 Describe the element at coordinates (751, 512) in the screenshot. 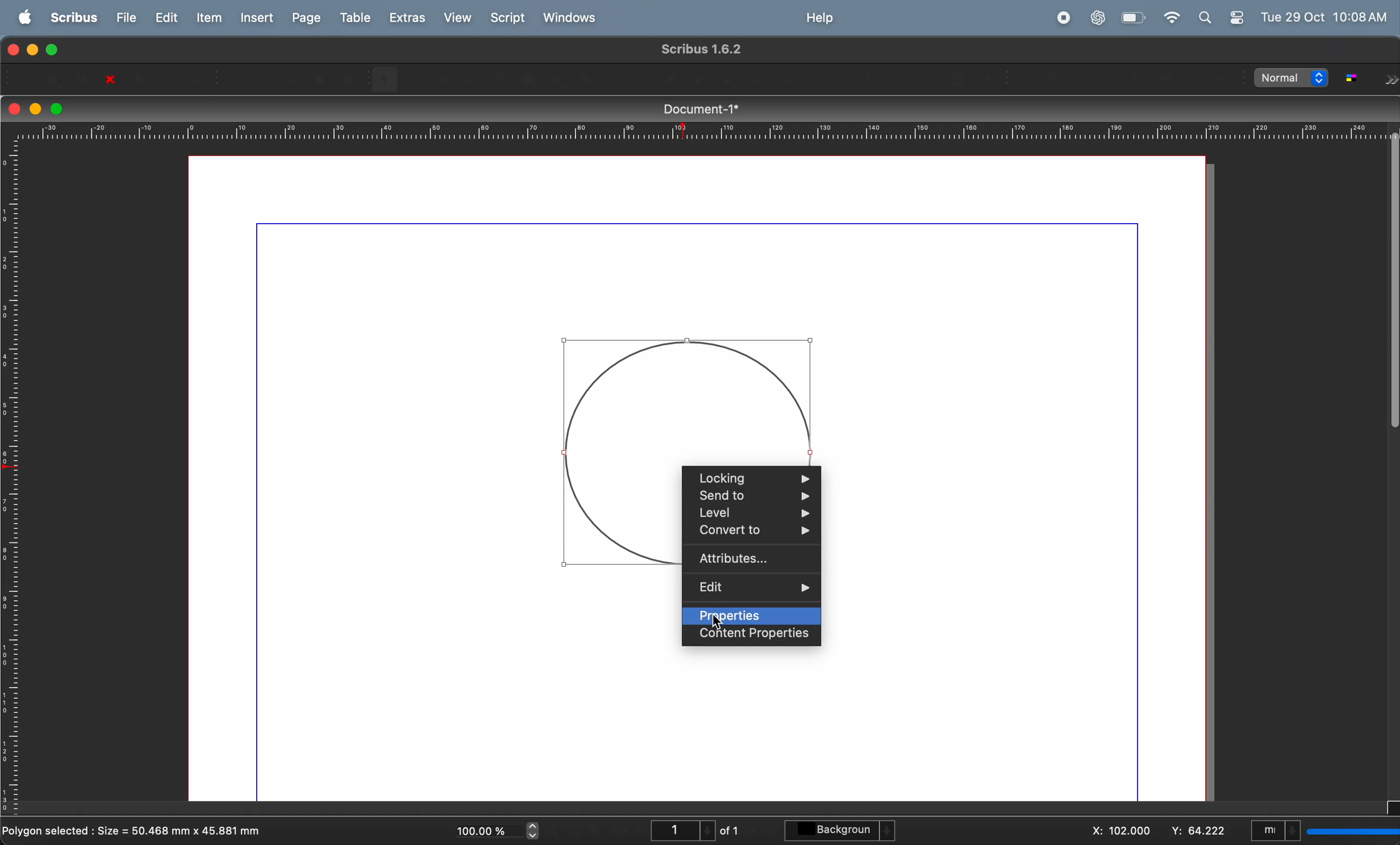

I see `level` at that location.